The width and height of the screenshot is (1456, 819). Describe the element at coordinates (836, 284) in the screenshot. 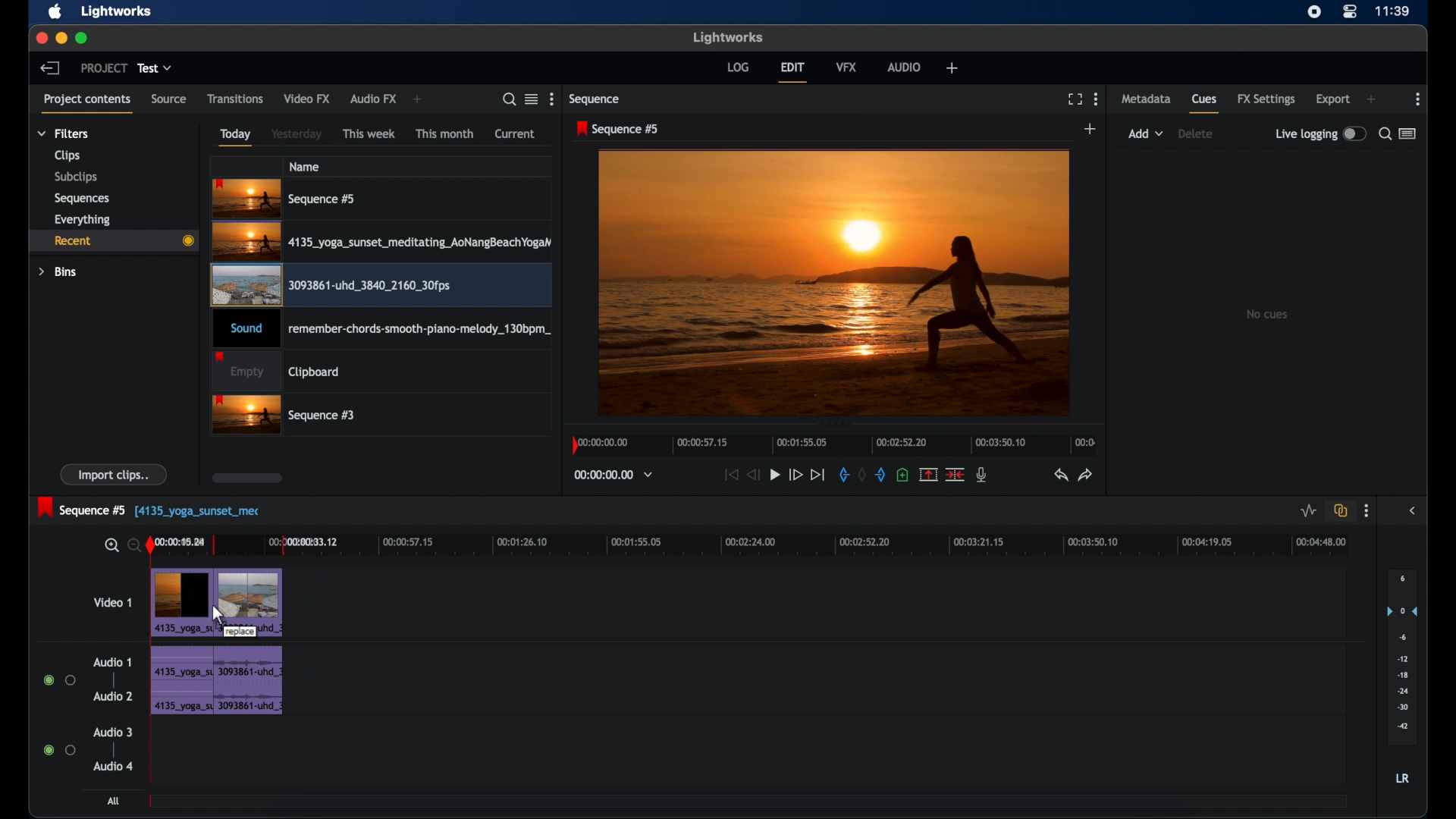

I see `video preview` at that location.